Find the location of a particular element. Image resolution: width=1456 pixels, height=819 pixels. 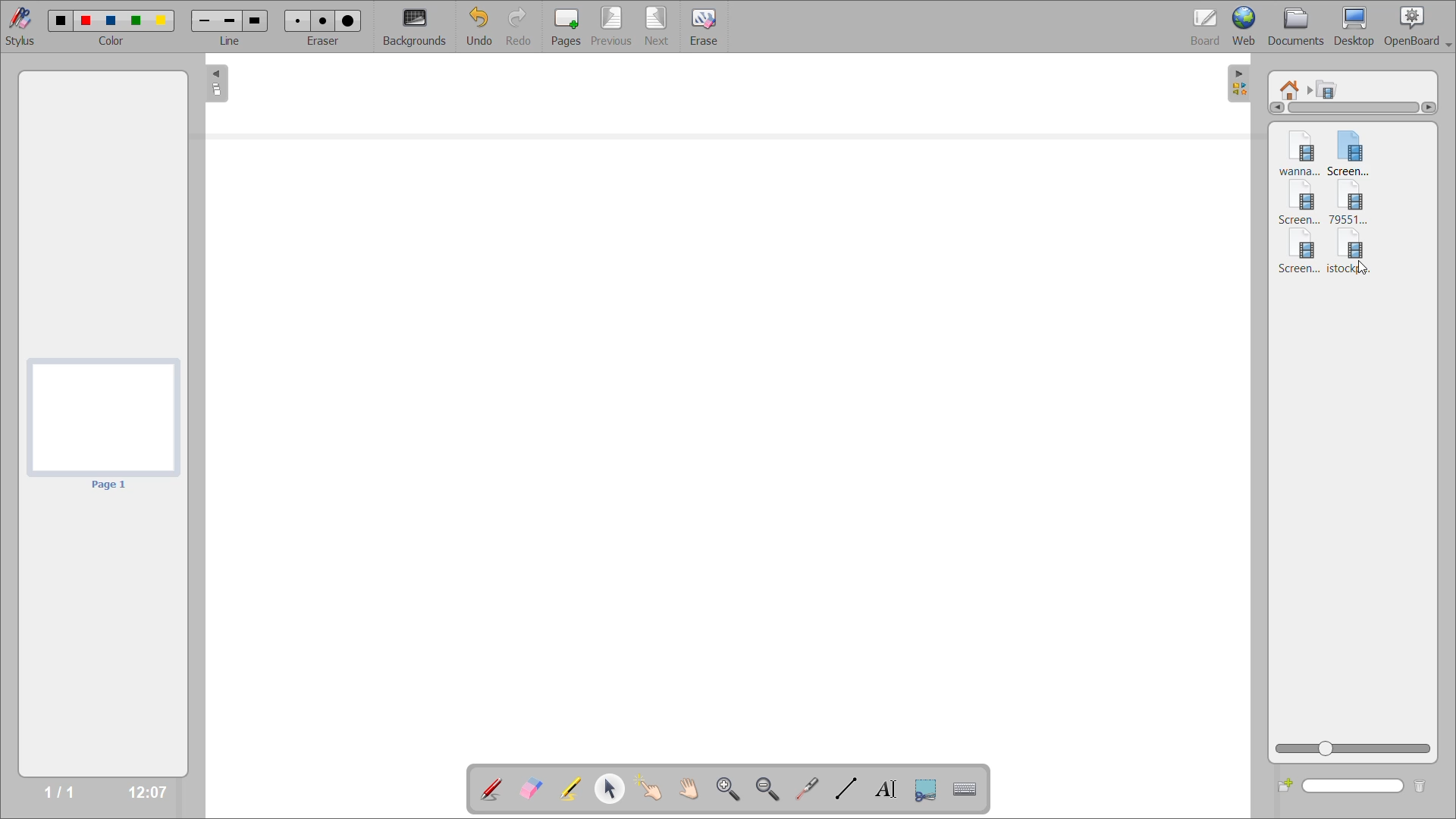

movies is located at coordinates (1331, 91).